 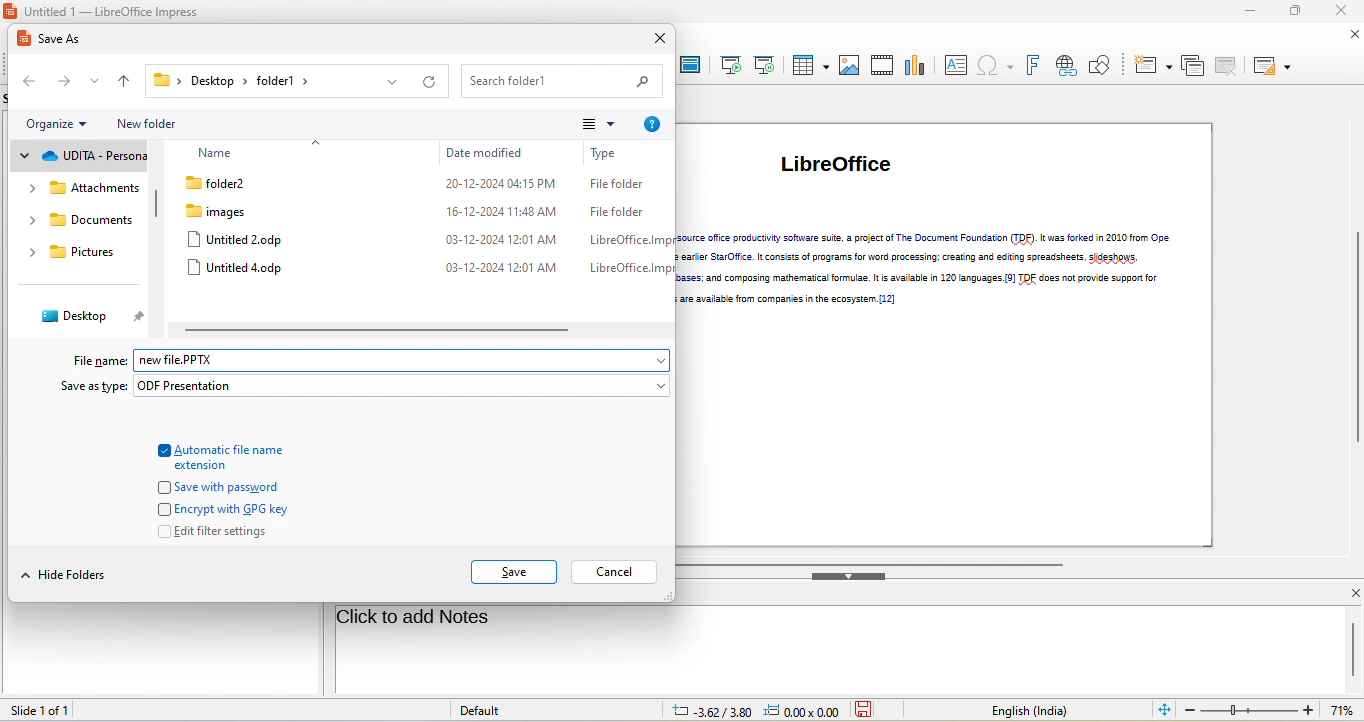 What do you see at coordinates (413, 619) in the screenshot?
I see `click to add notes` at bounding box center [413, 619].